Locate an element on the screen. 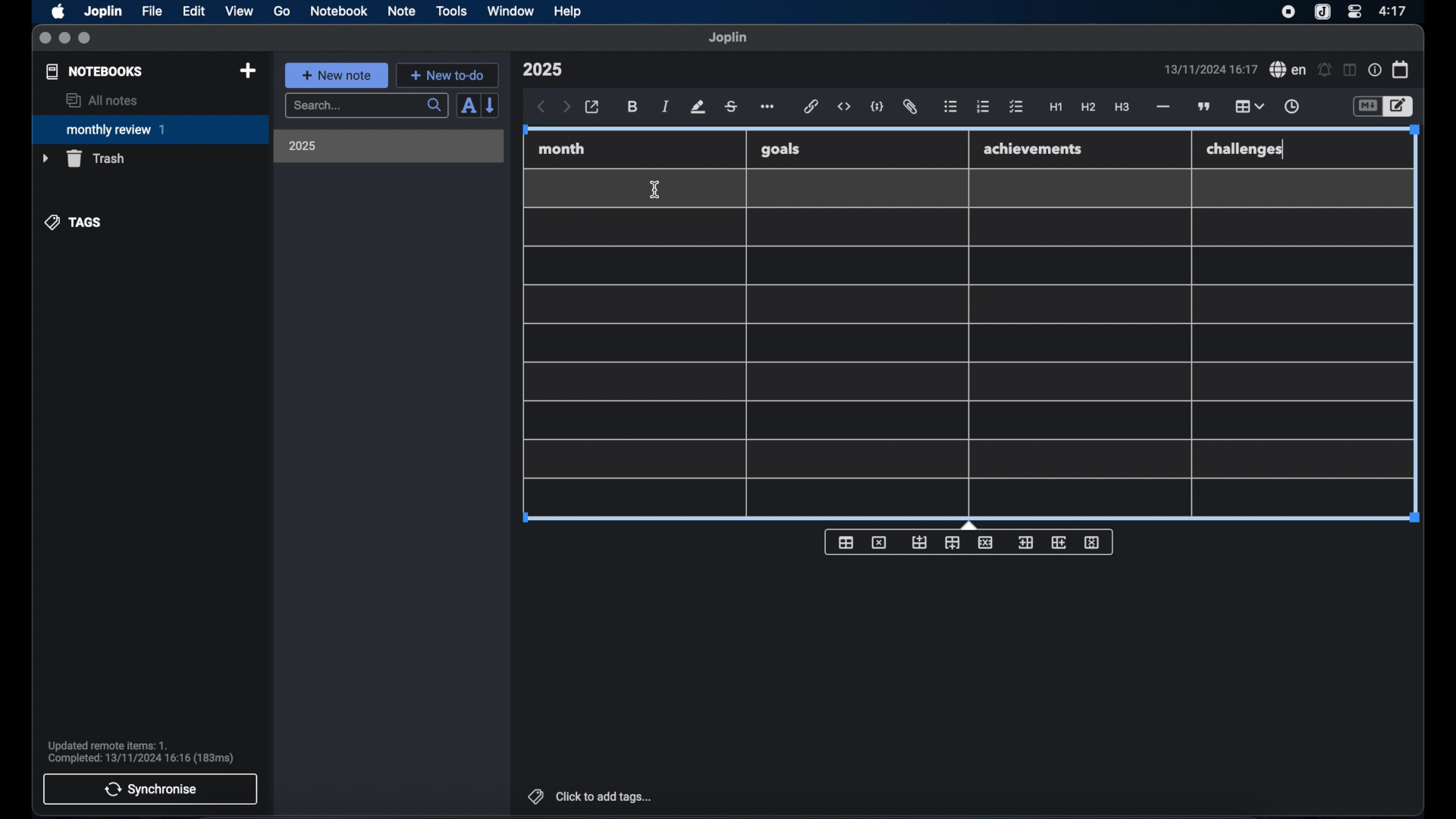  bulleted list is located at coordinates (950, 107).